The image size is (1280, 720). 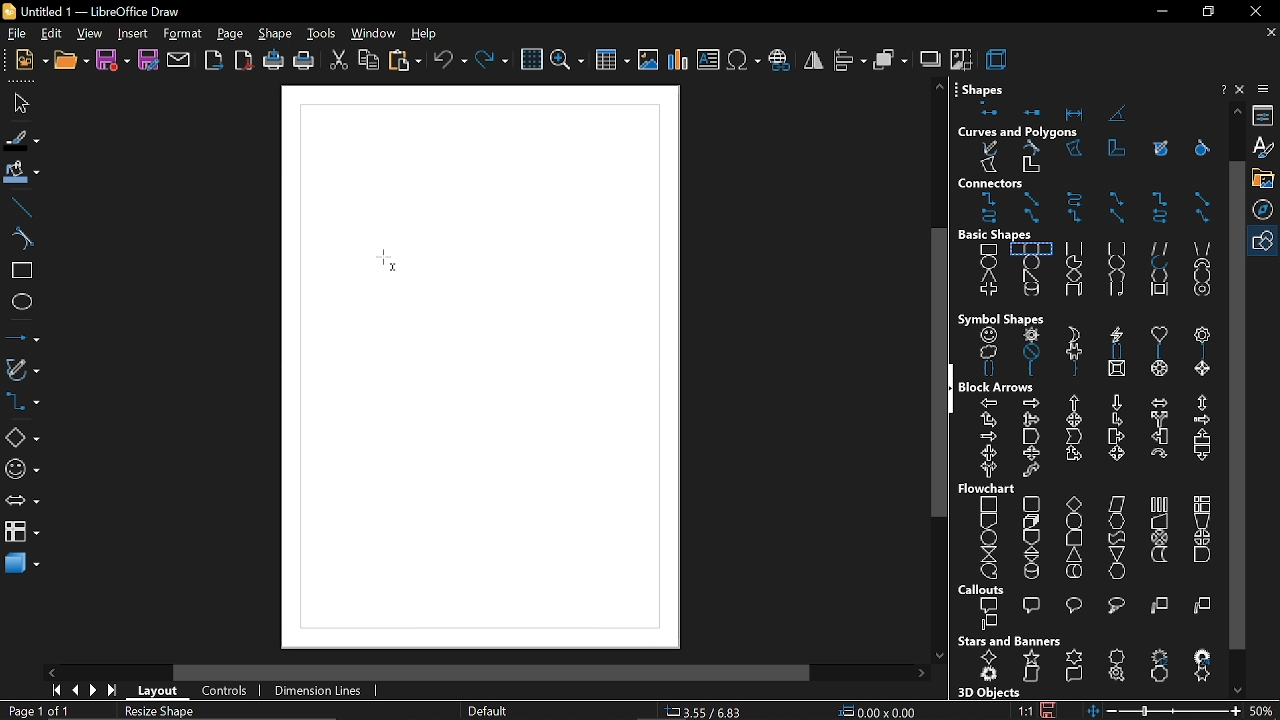 I want to click on attach, so click(x=180, y=61).